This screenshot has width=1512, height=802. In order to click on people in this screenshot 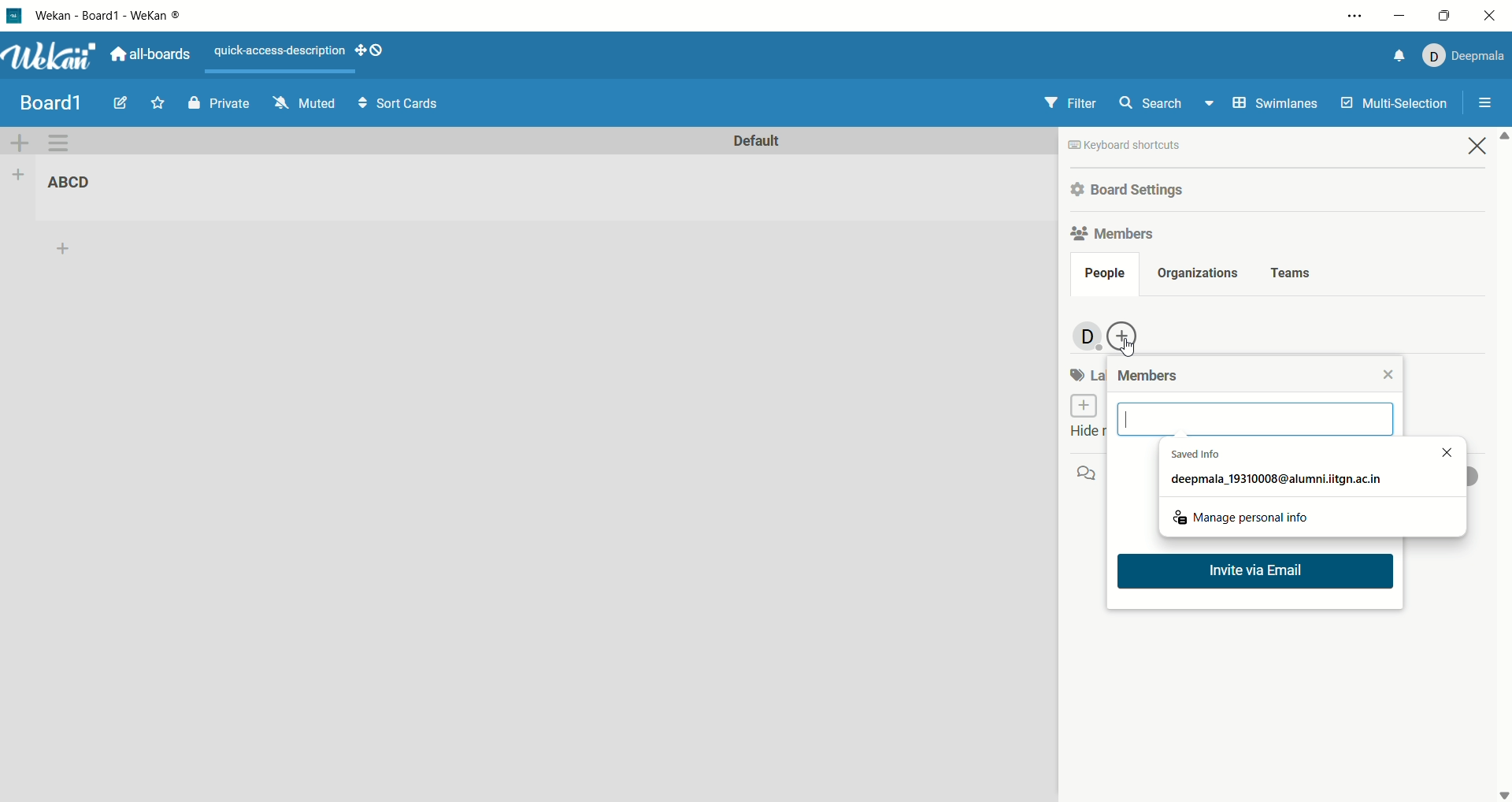, I will do `click(1104, 276)`.